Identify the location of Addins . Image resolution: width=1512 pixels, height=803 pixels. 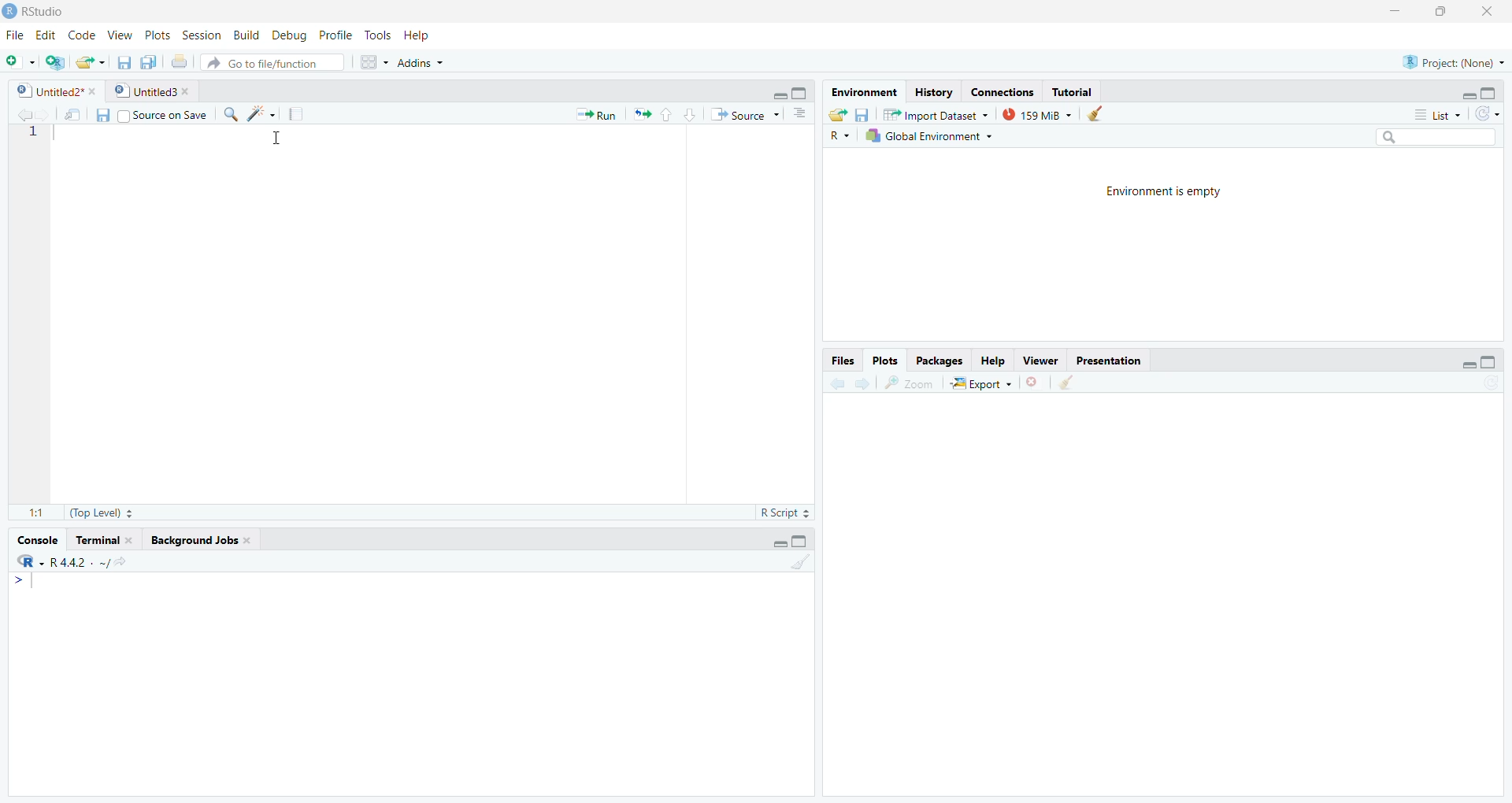
(420, 64).